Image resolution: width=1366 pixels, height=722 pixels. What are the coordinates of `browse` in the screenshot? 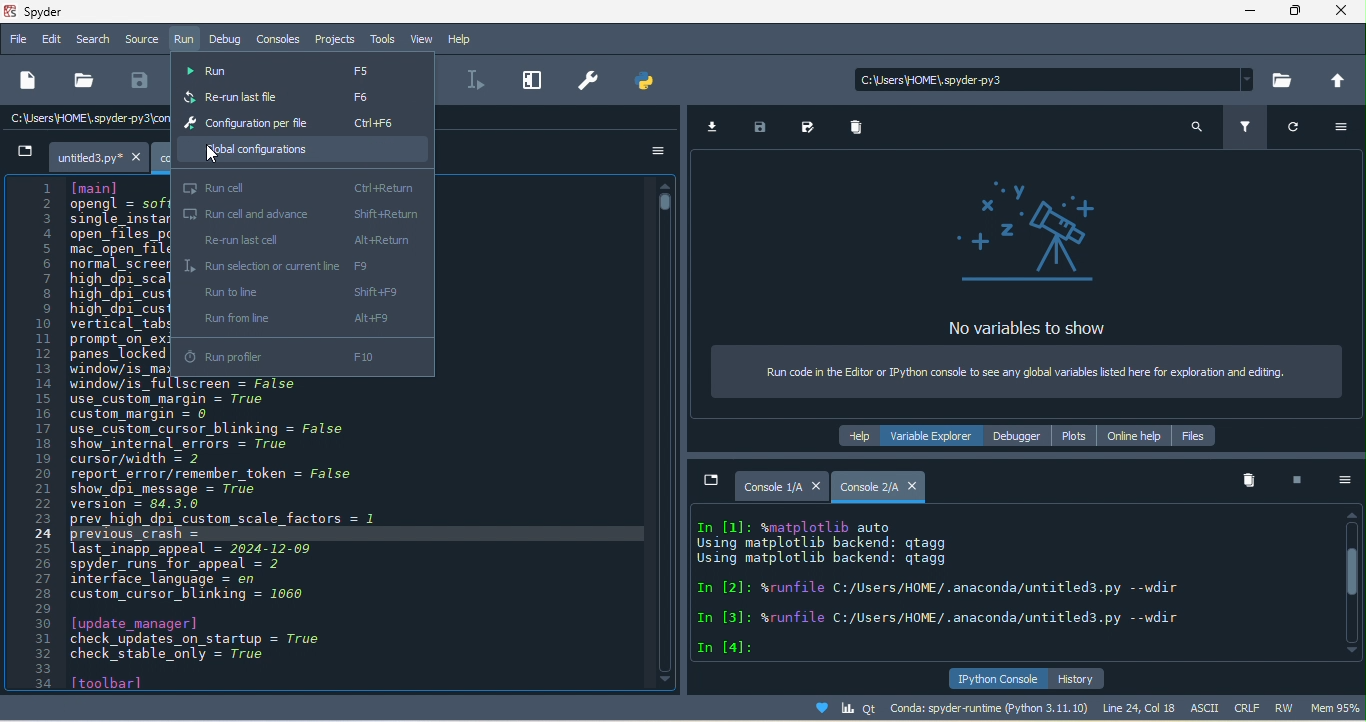 It's located at (1281, 79).